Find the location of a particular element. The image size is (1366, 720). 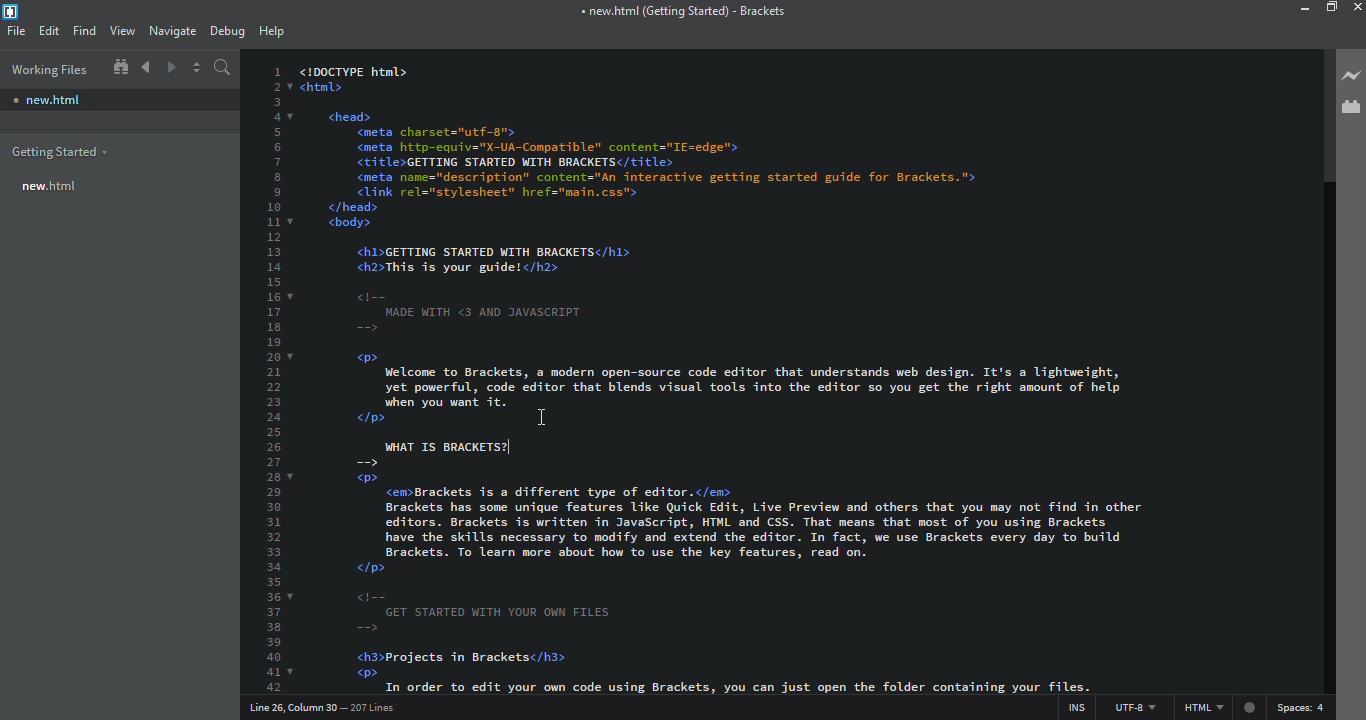

close is located at coordinates (1355, 9).